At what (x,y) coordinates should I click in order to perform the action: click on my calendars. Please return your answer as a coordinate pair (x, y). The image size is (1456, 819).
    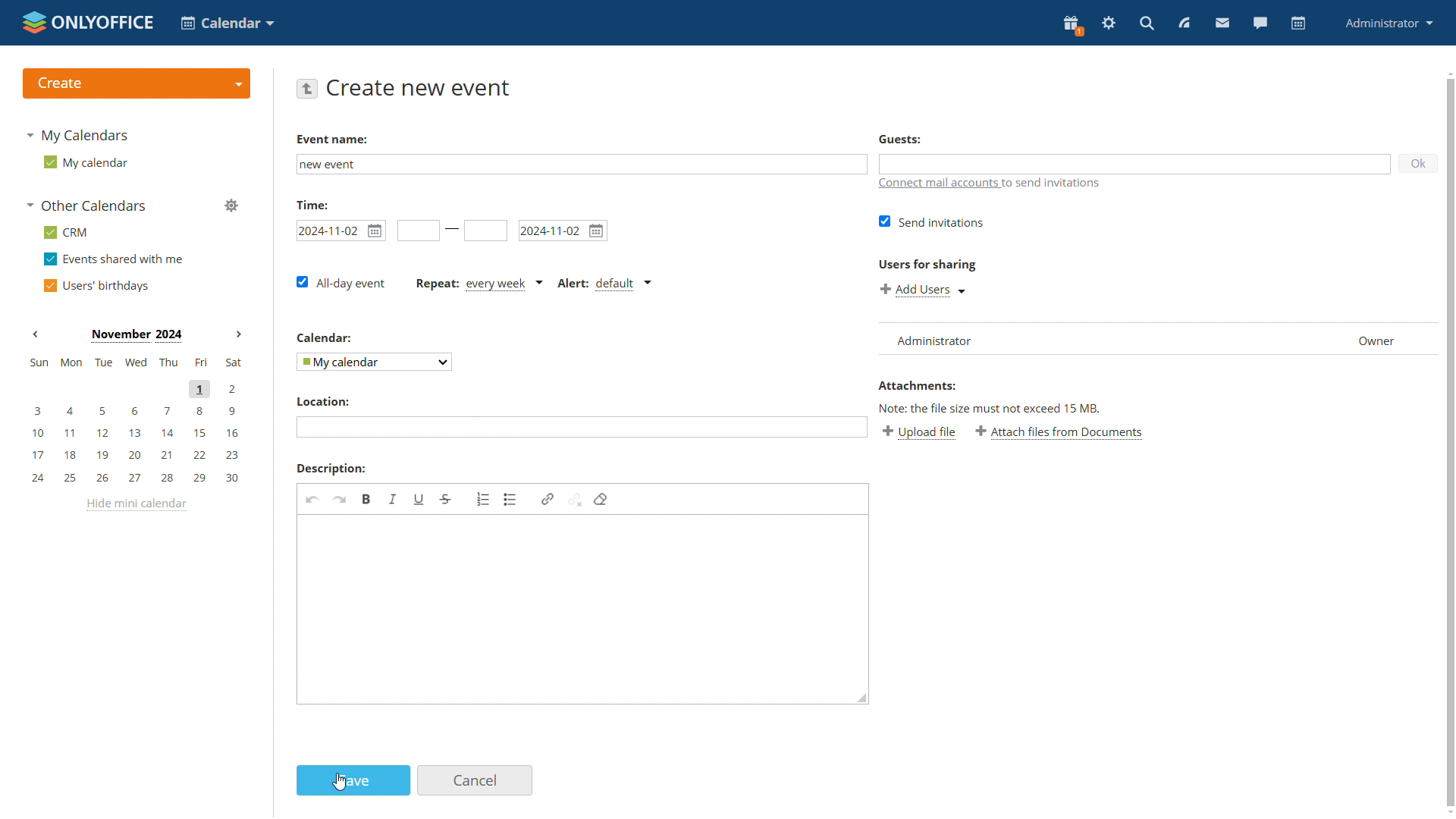
    Looking at the image, I should click on (80, 133).